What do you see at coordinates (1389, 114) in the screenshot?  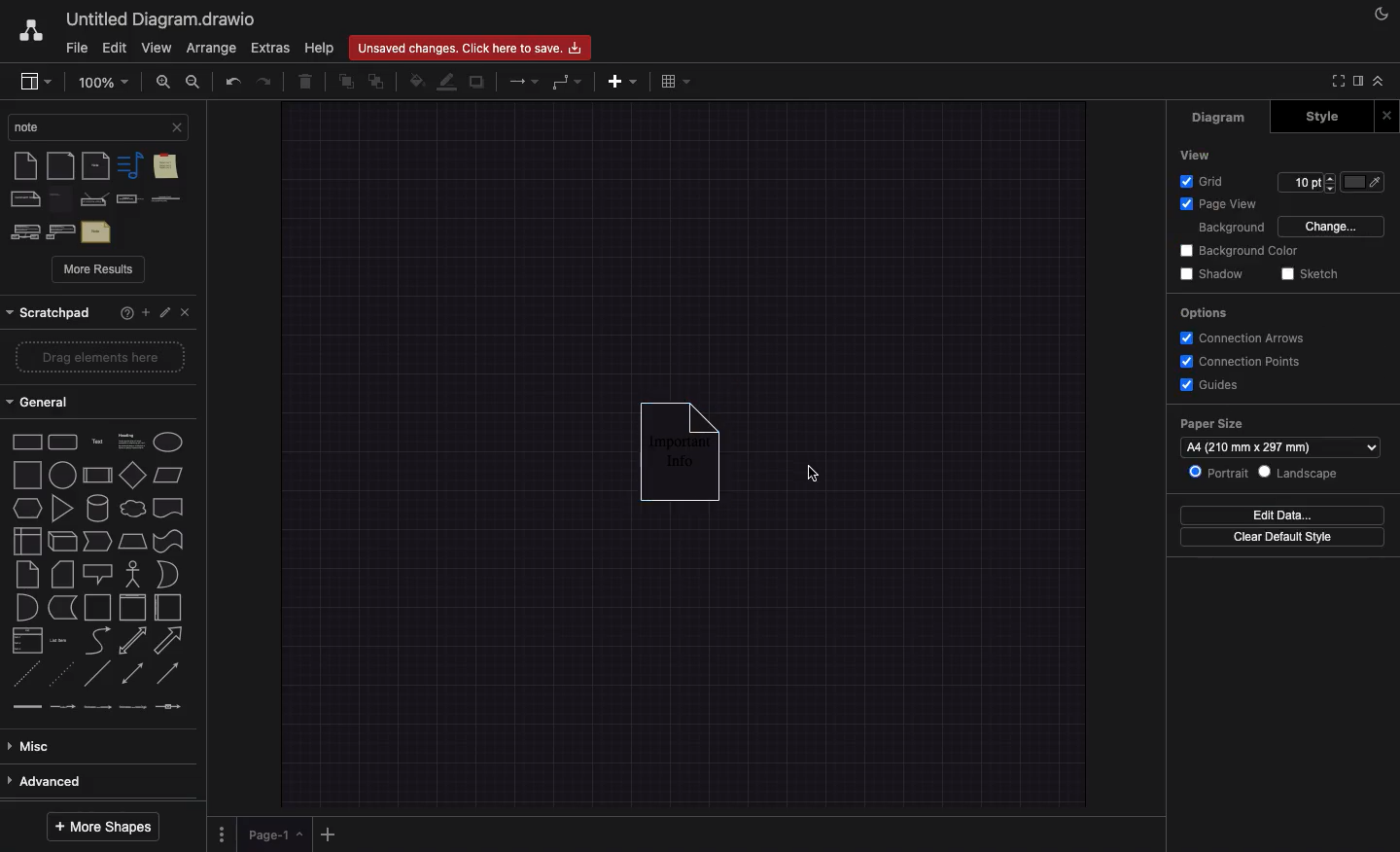 I see `Close ` at bounding box center [1389, 114].